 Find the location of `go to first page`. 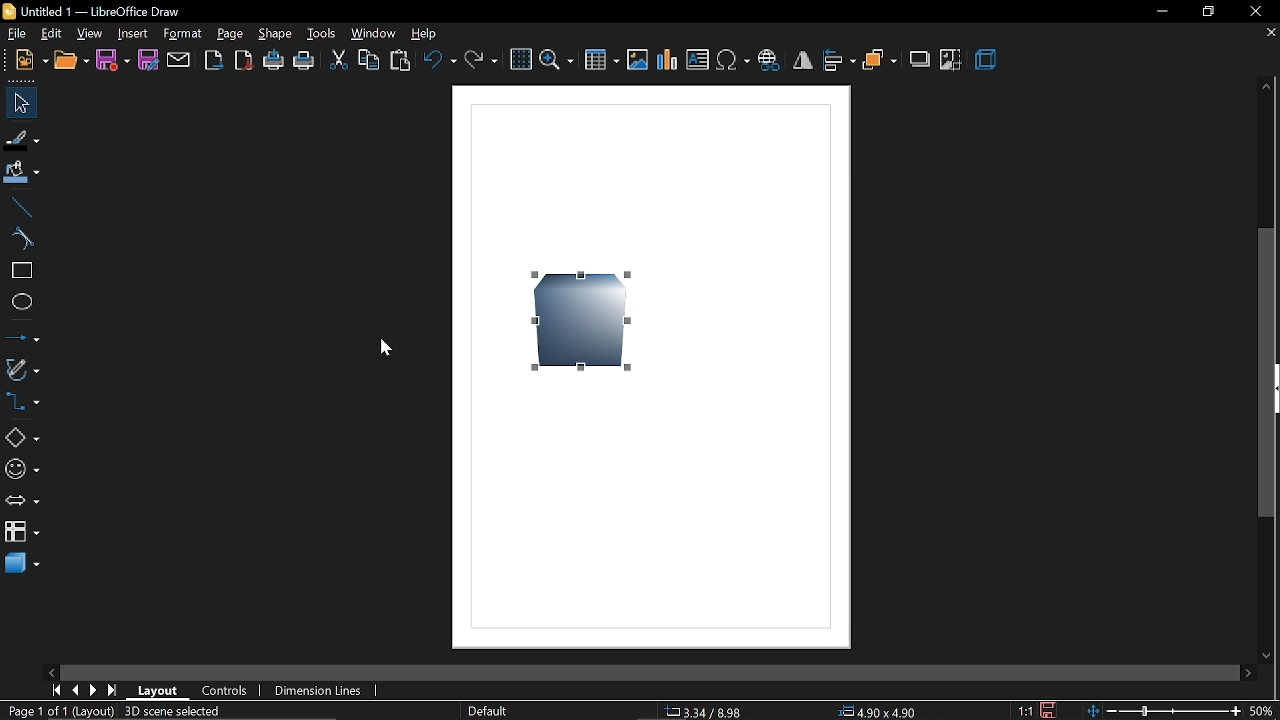

go to first page is located at coordinates (53, 691).